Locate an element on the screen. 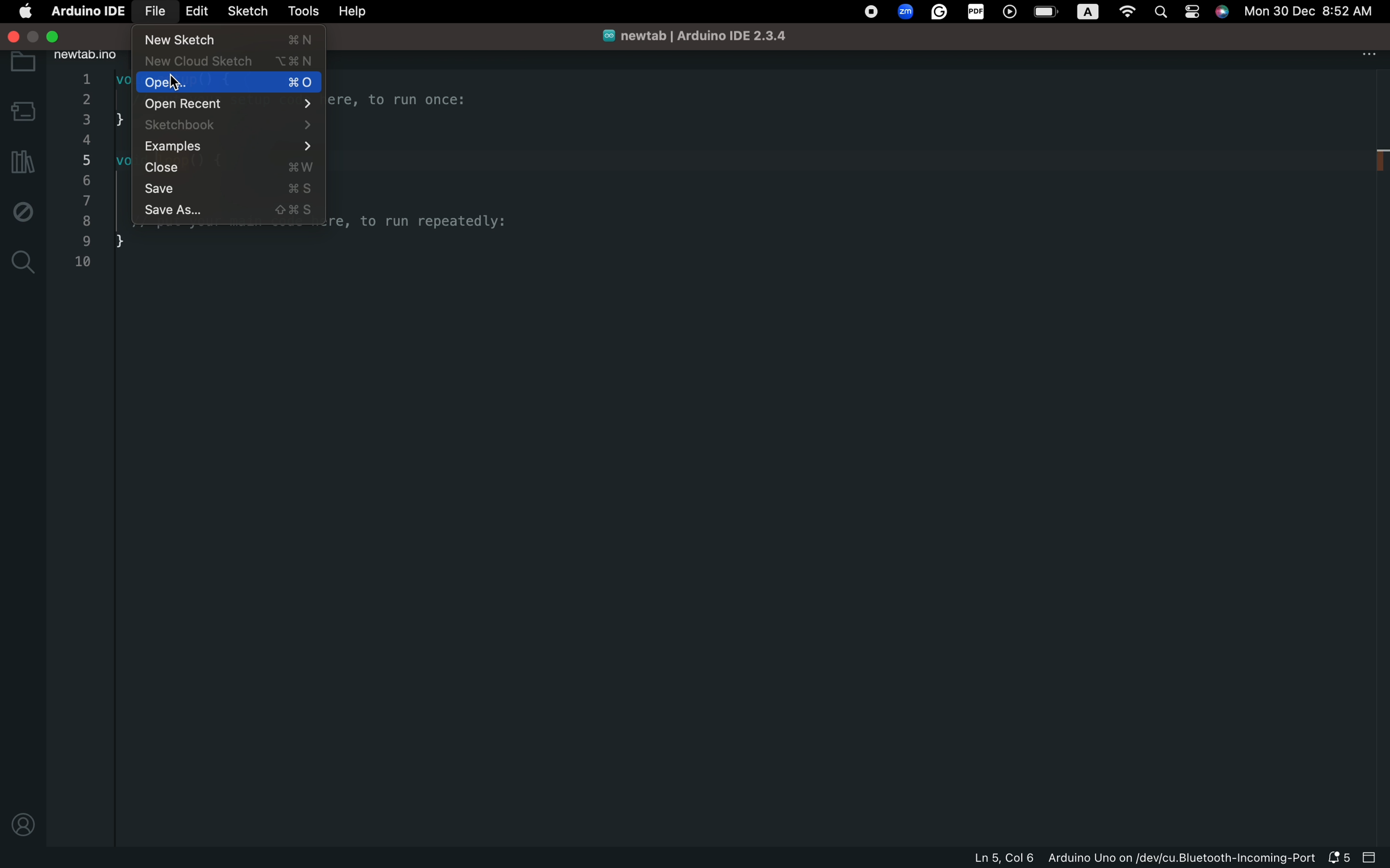 Image resolution: width=1390 pixels, height=868 pixels. control center is located at coordinates (1193, 11).